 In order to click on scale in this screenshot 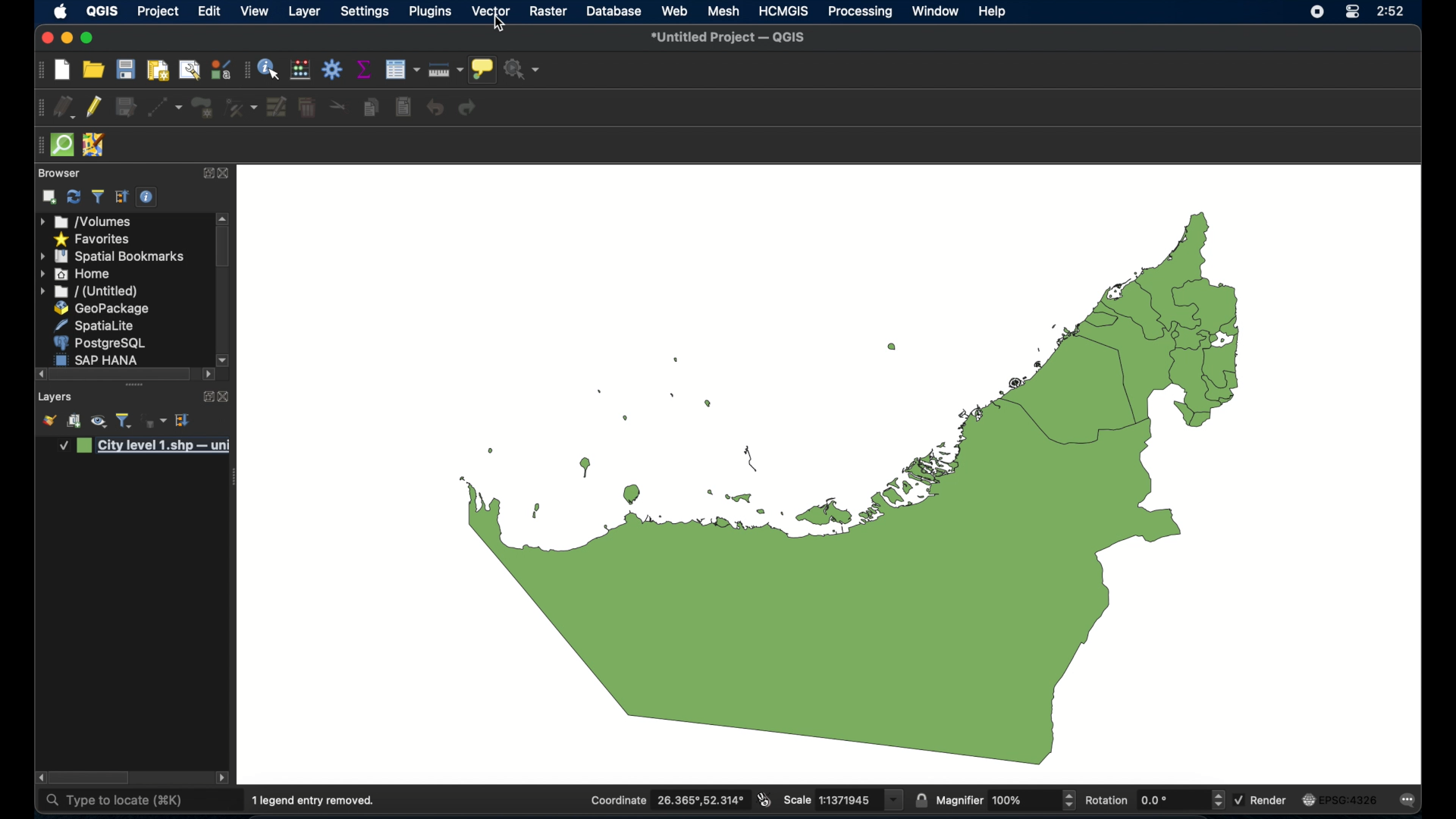, I will do `click(843, 800)`.